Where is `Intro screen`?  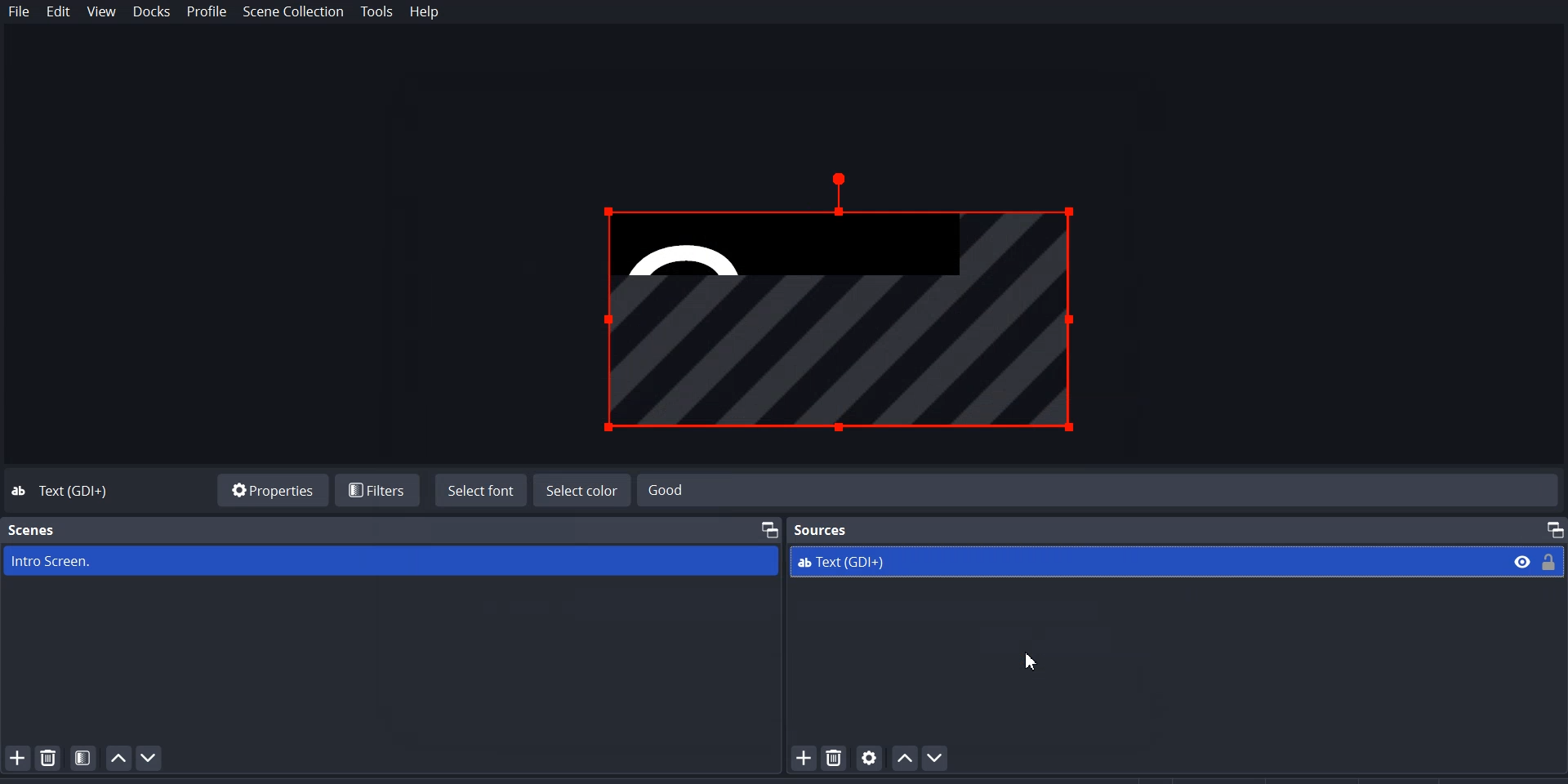
Intro screen is located at coordinates (390, 561).